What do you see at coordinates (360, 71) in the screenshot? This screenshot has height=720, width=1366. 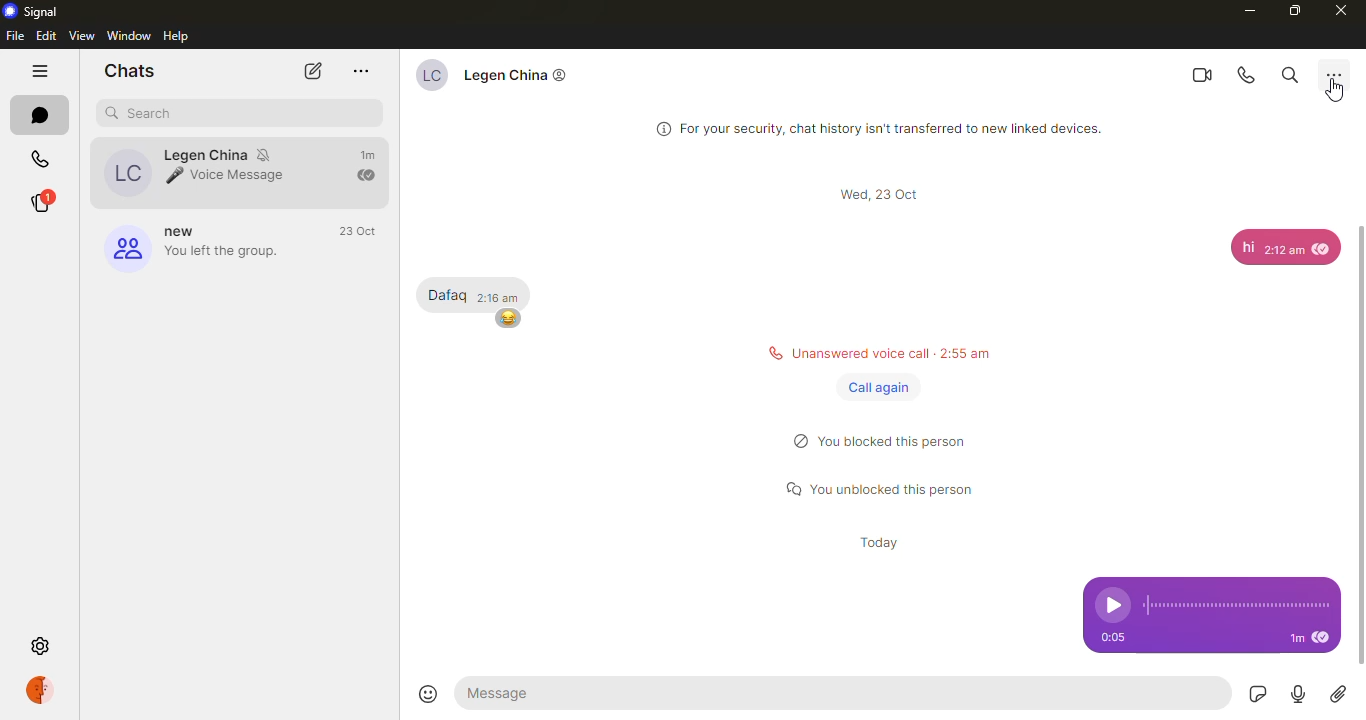 I see `more` at bounding box center [360, 71].